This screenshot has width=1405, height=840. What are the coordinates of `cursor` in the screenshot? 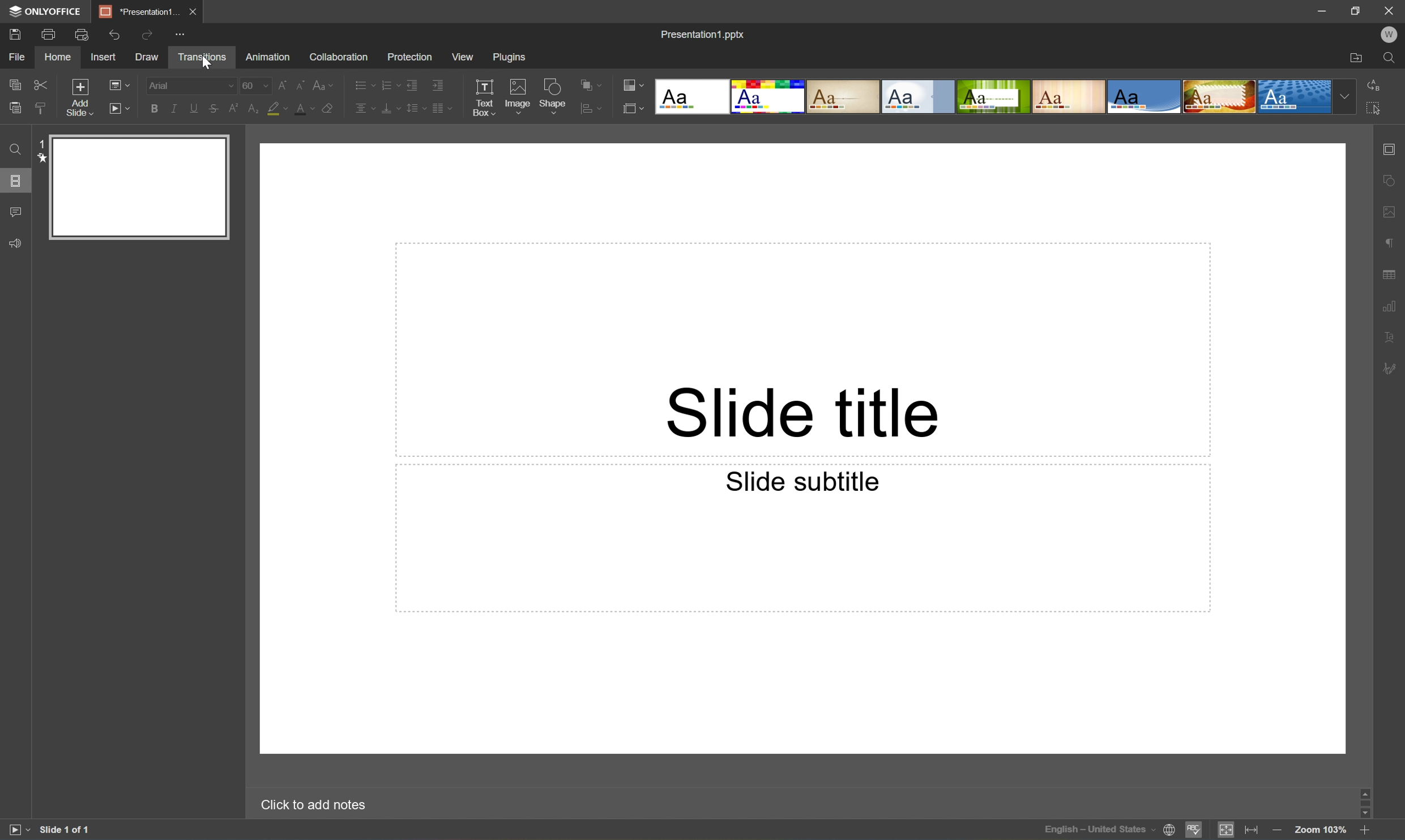 It's located at (208, 64).